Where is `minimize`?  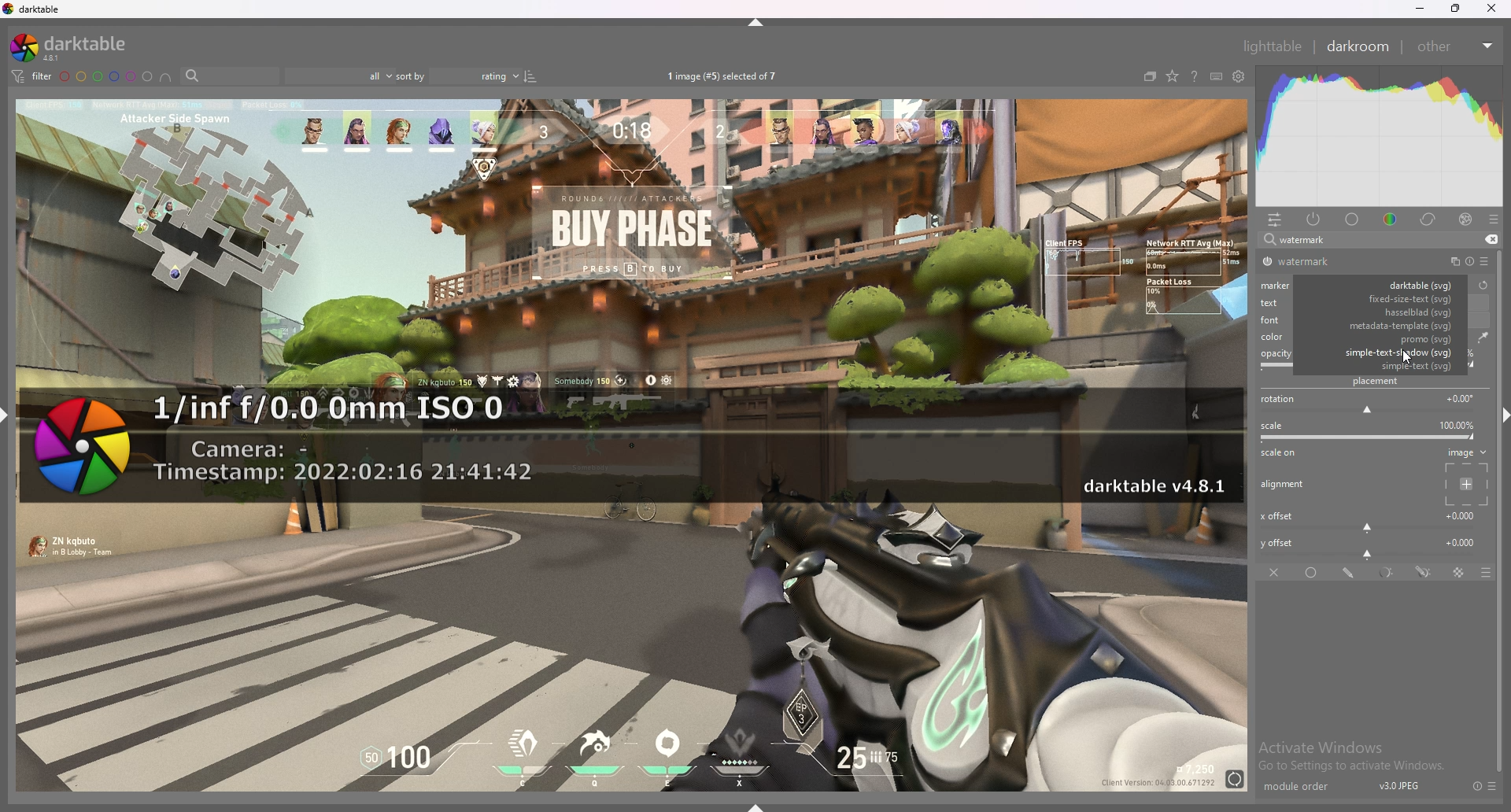 minimize is located at coordinates (1420, 9).